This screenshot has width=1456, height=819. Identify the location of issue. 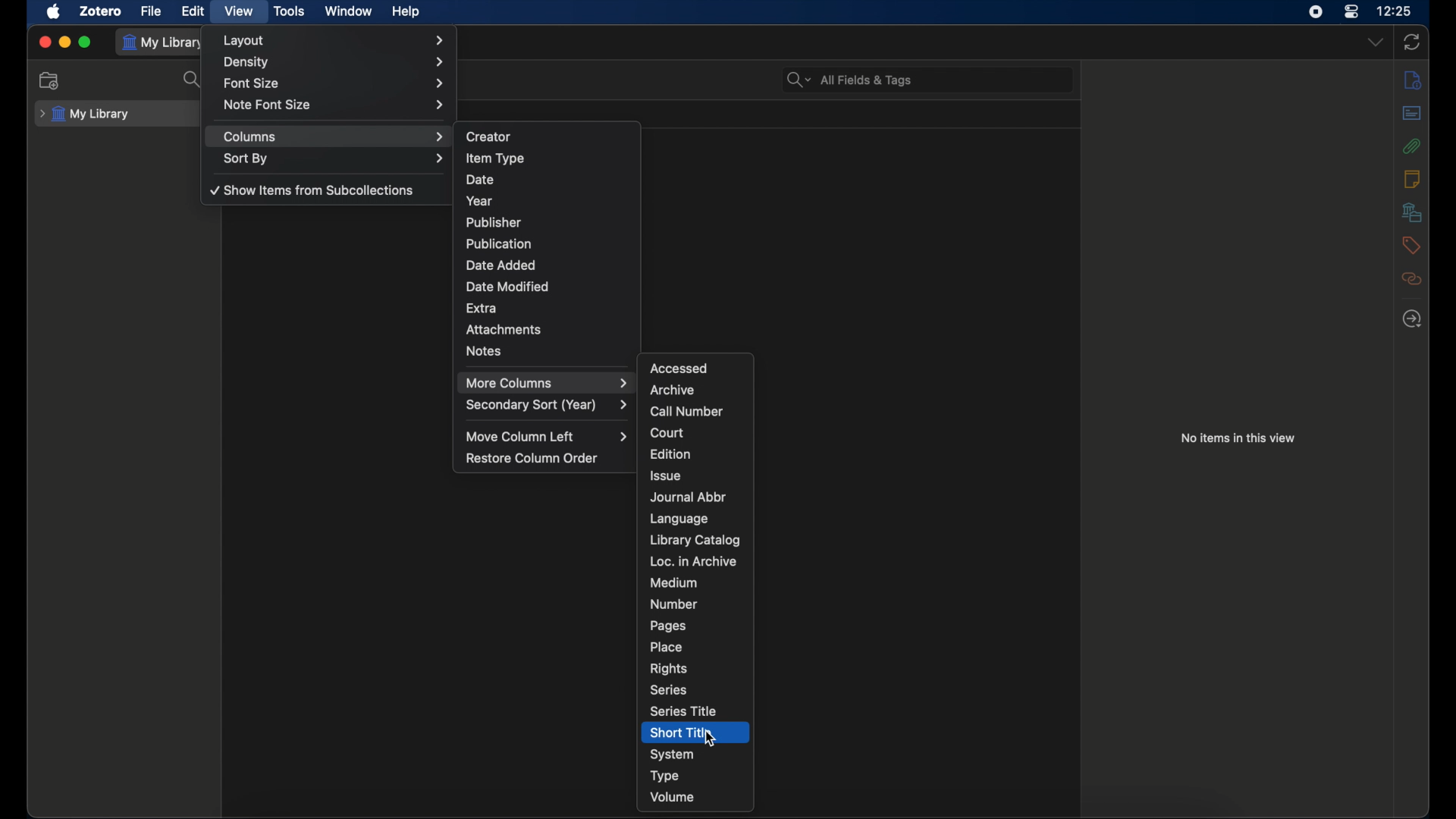
(666, 475).